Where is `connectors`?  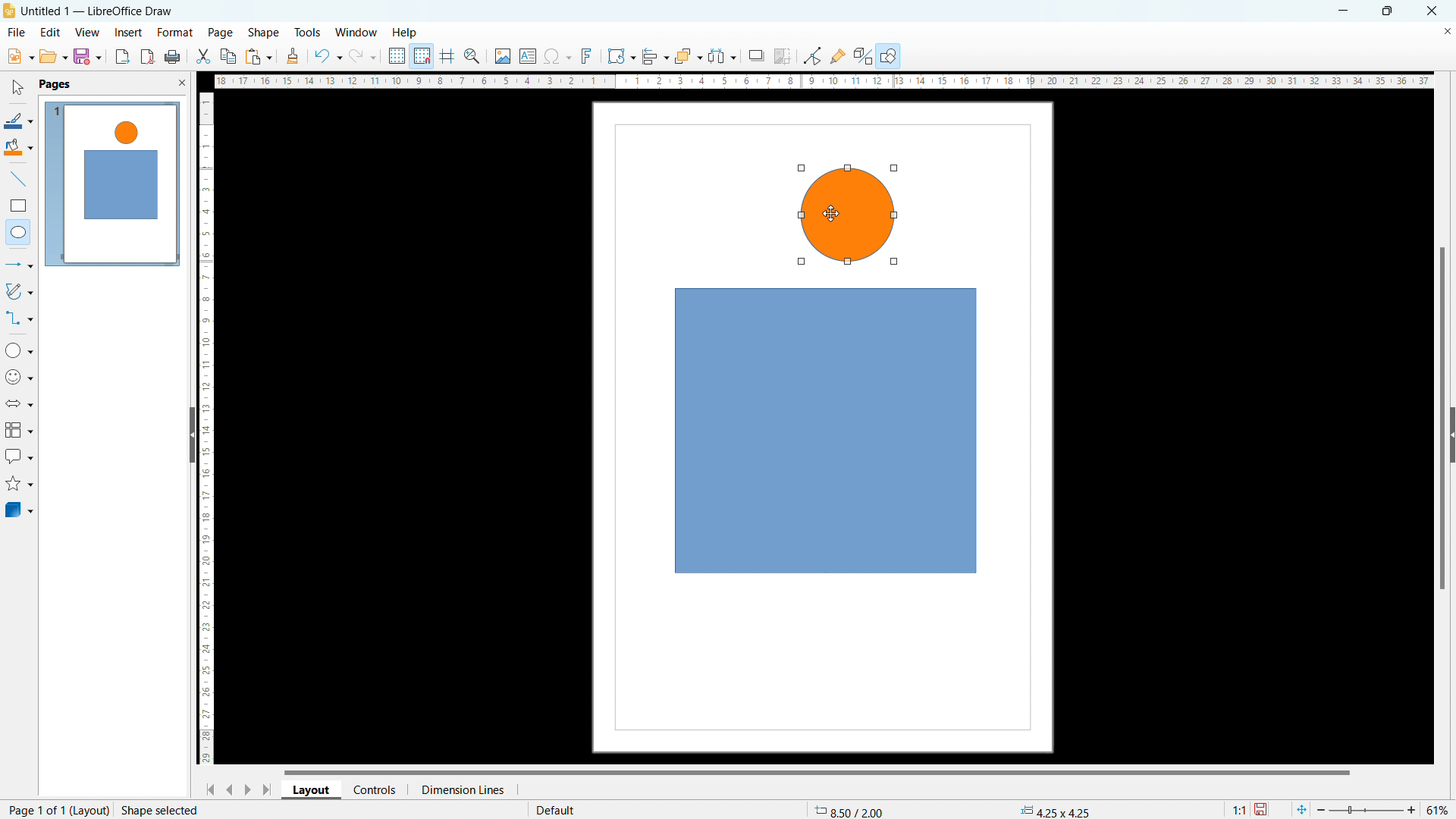
connectors is located at coordinates (20, 318).